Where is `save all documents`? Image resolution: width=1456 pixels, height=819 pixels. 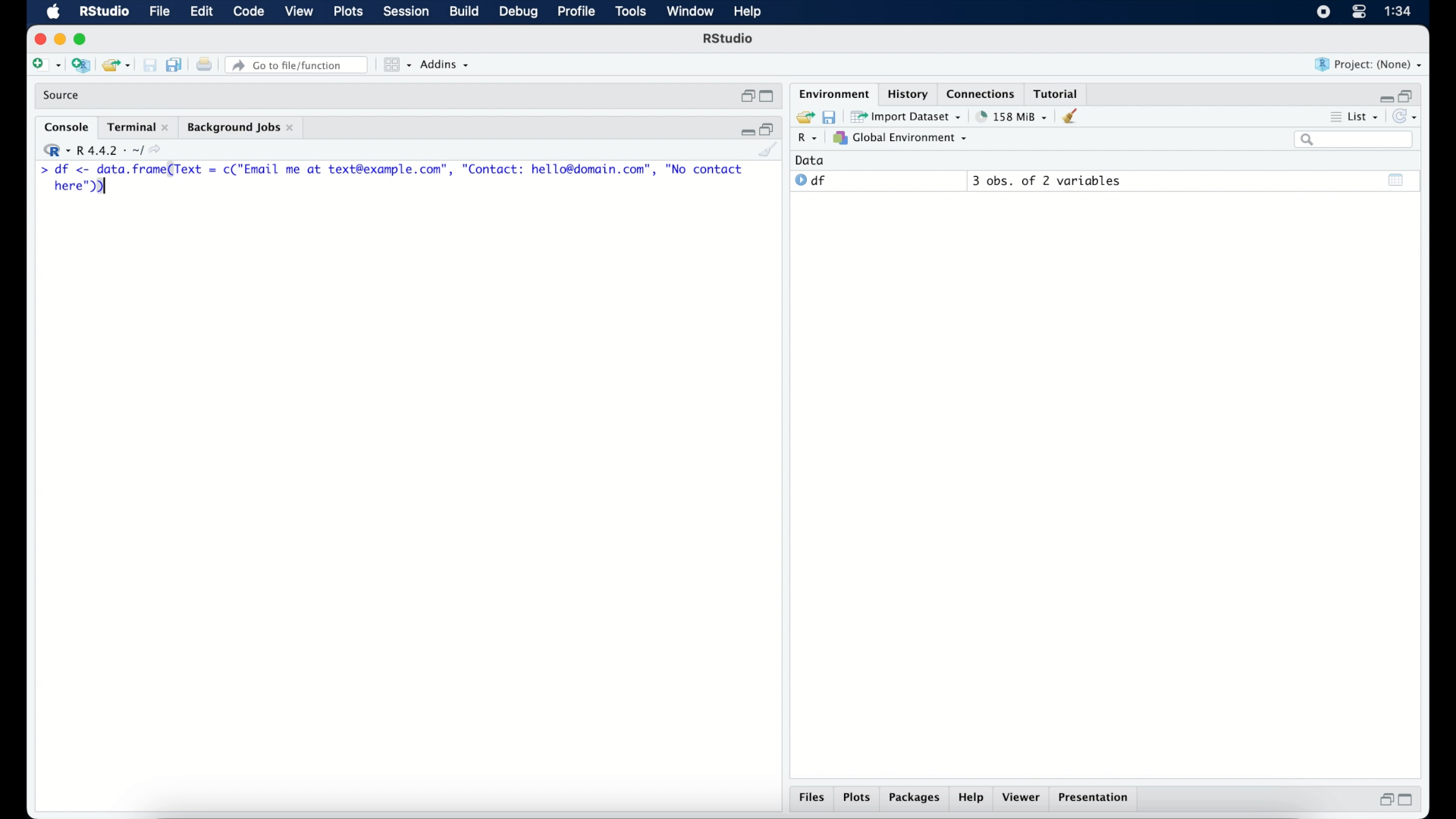 save all documents is located at coordinates (174, 64).